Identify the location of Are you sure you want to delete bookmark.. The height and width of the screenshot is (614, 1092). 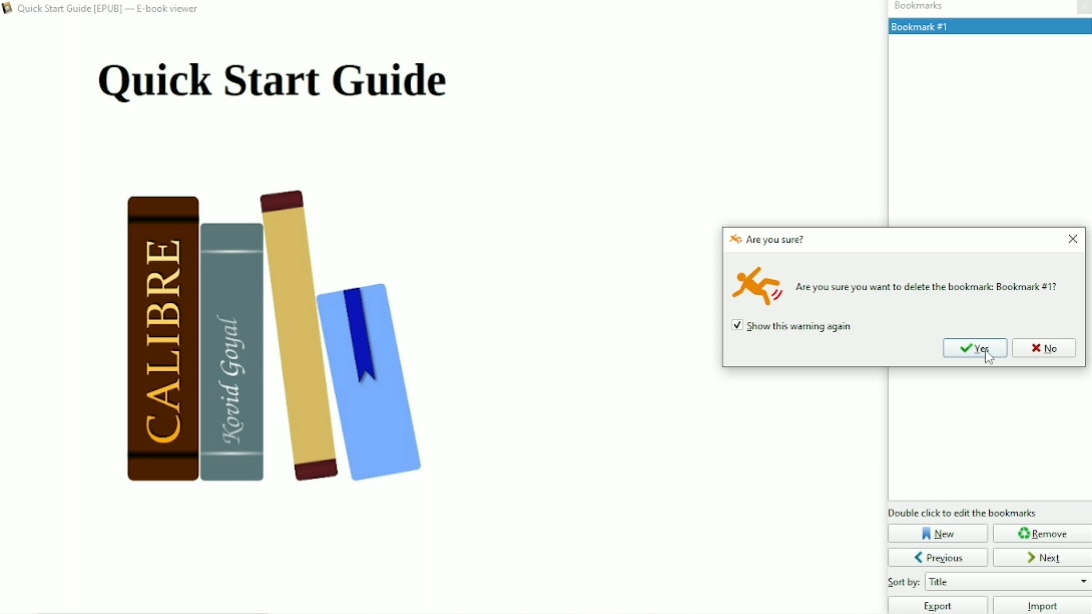
(934, 287).